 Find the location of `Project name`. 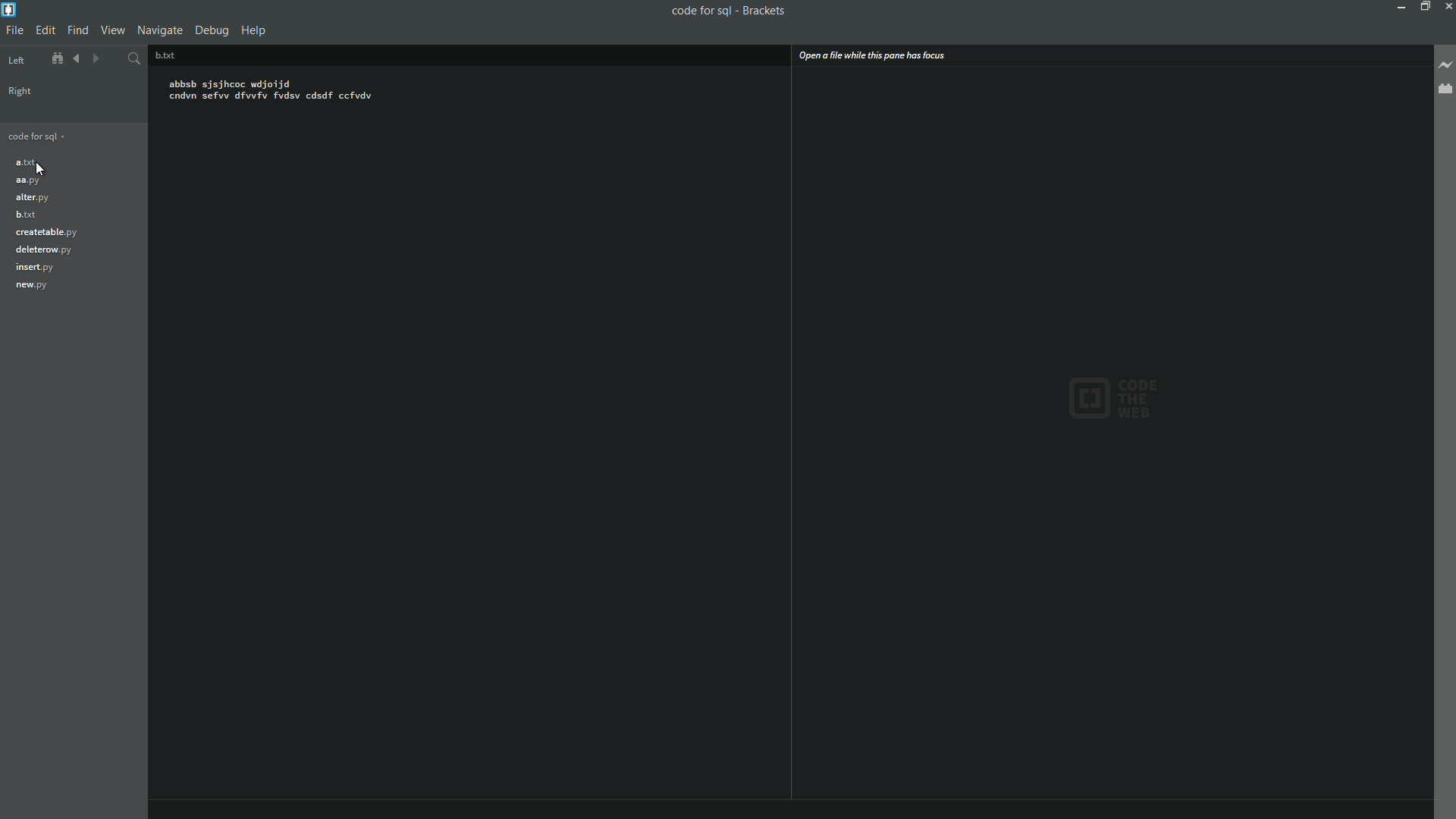

Project name is located at coordinates (36, 58).